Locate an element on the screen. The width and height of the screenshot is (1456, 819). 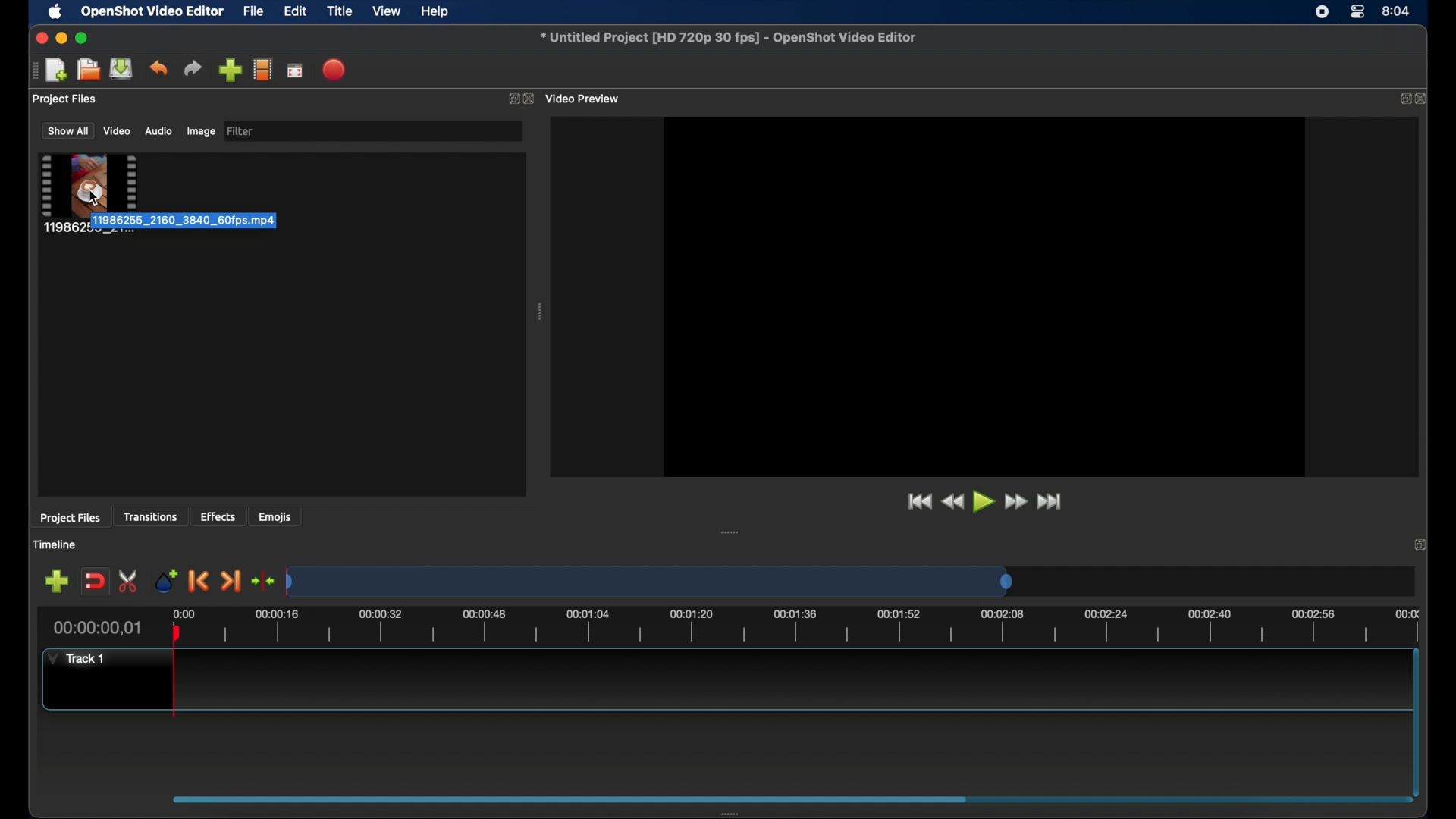
timeline  is located at coordinates (814, 627).